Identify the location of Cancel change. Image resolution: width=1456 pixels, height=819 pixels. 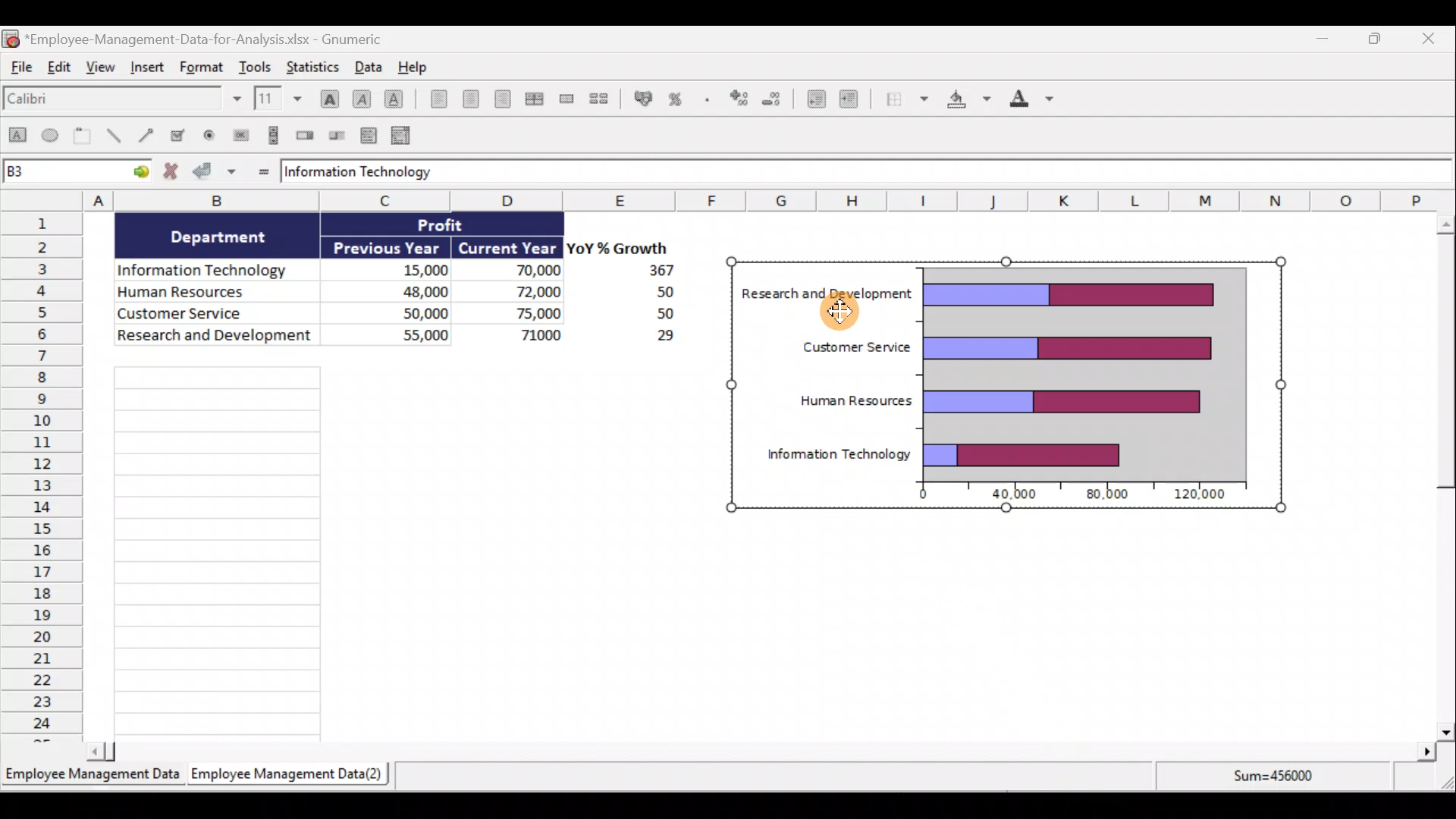
(171, 173).